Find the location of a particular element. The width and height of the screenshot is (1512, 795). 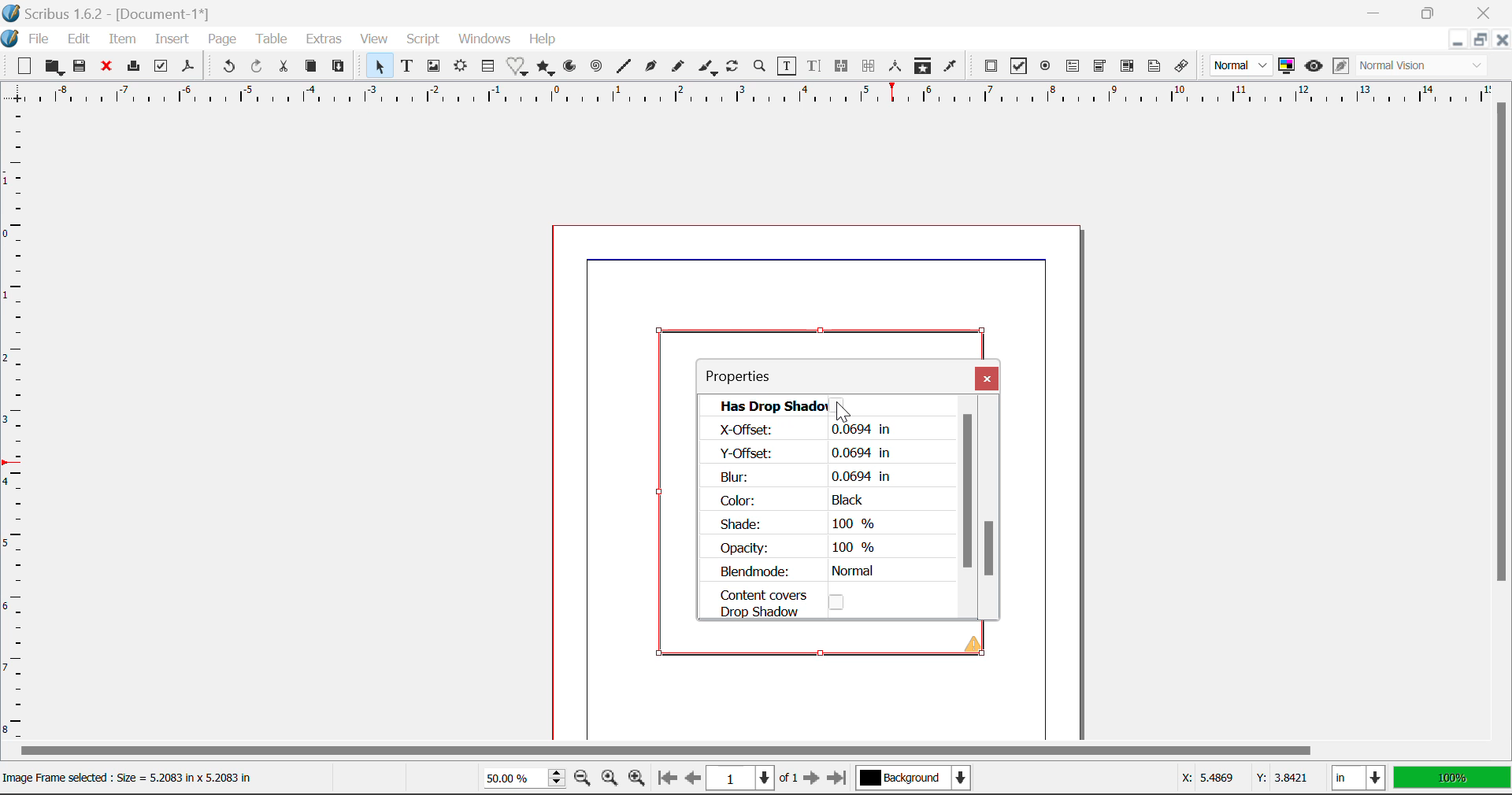

Print is located at coordinates (136, 68).